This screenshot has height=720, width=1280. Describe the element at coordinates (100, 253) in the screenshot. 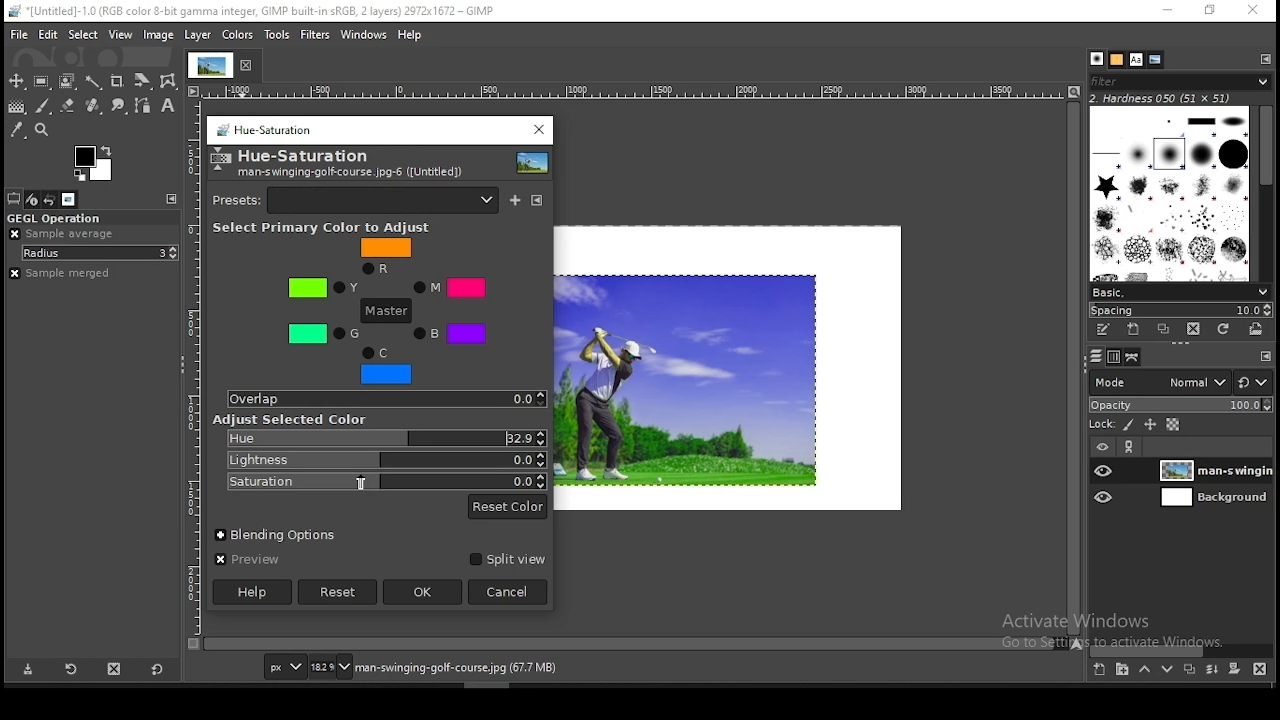

I see `radius` at that location.